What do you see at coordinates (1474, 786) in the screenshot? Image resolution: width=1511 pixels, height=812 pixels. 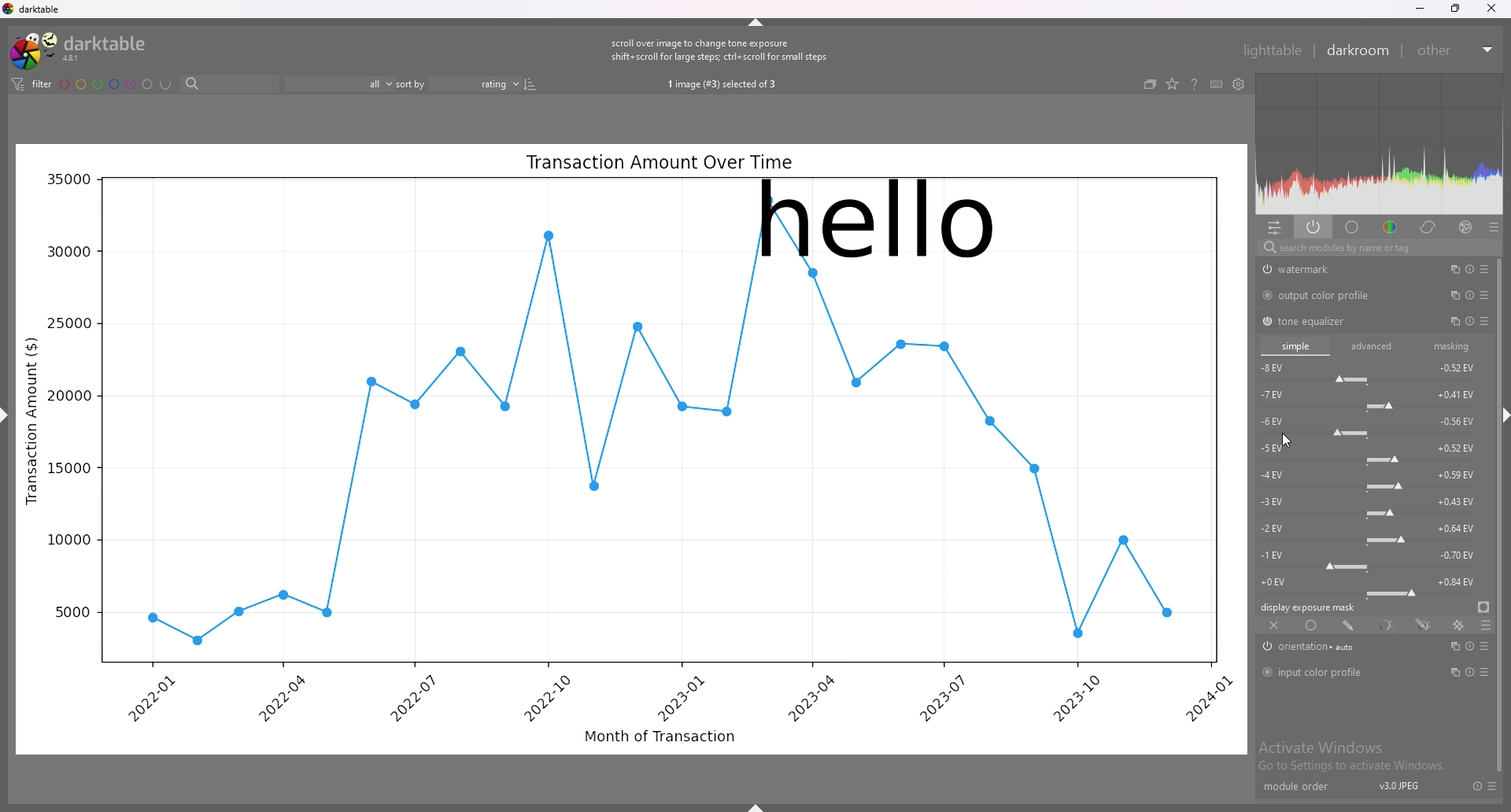 I see `reset` at bounding box center [1474, 786].